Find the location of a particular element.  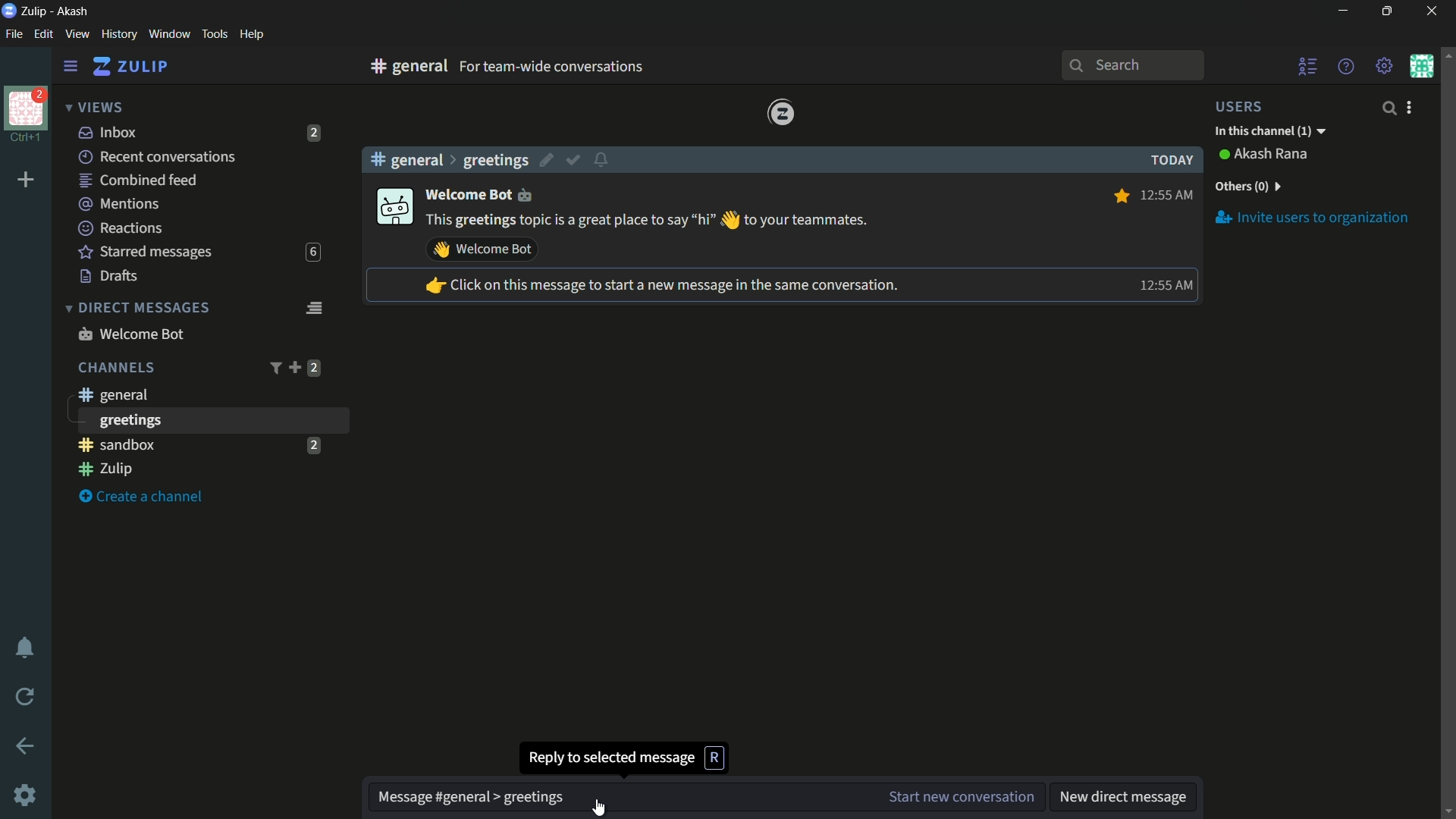

enable DND is located at coordinates (25, 648).